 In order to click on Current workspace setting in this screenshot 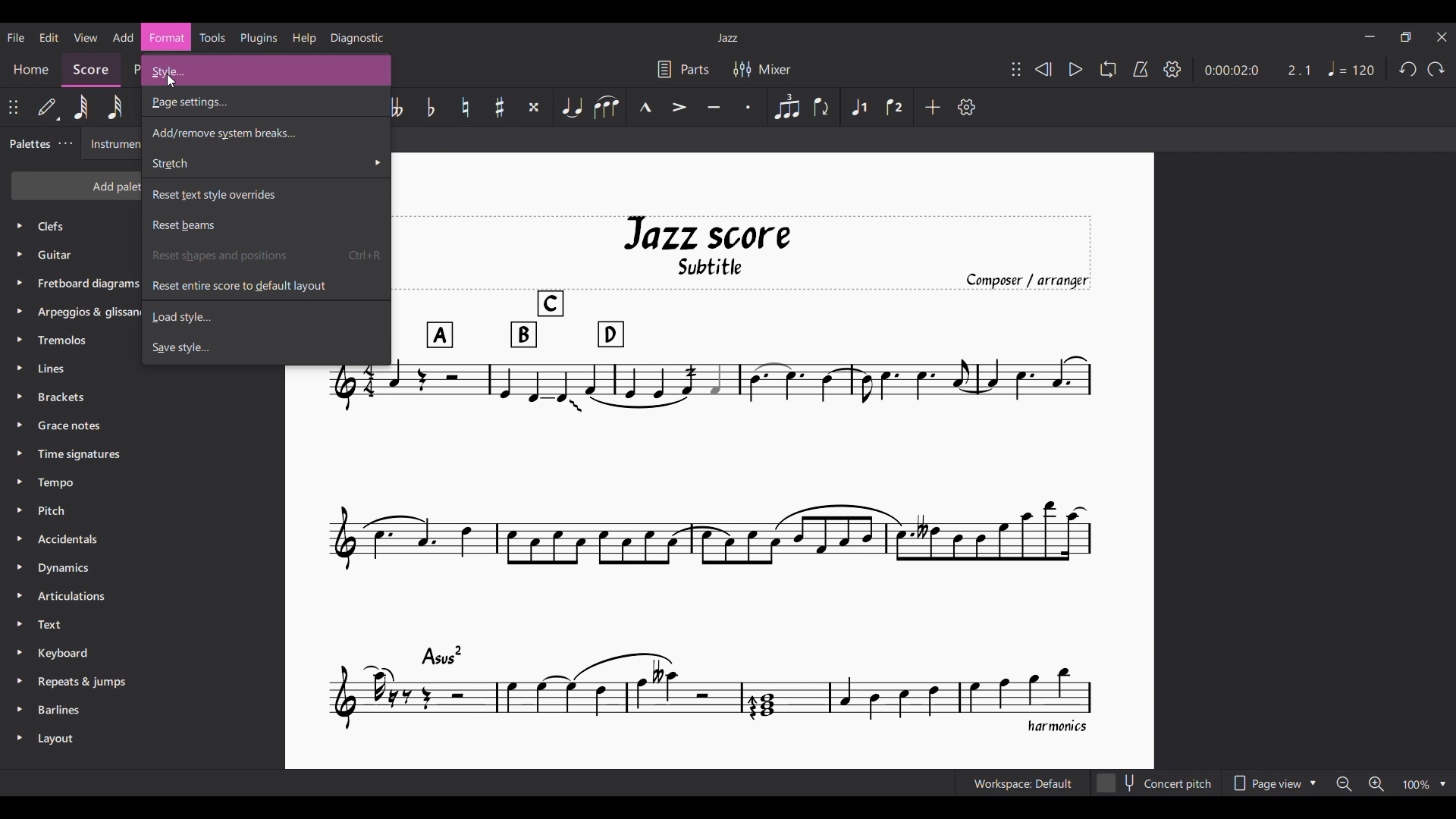, I will do `click(1023, 783)`.